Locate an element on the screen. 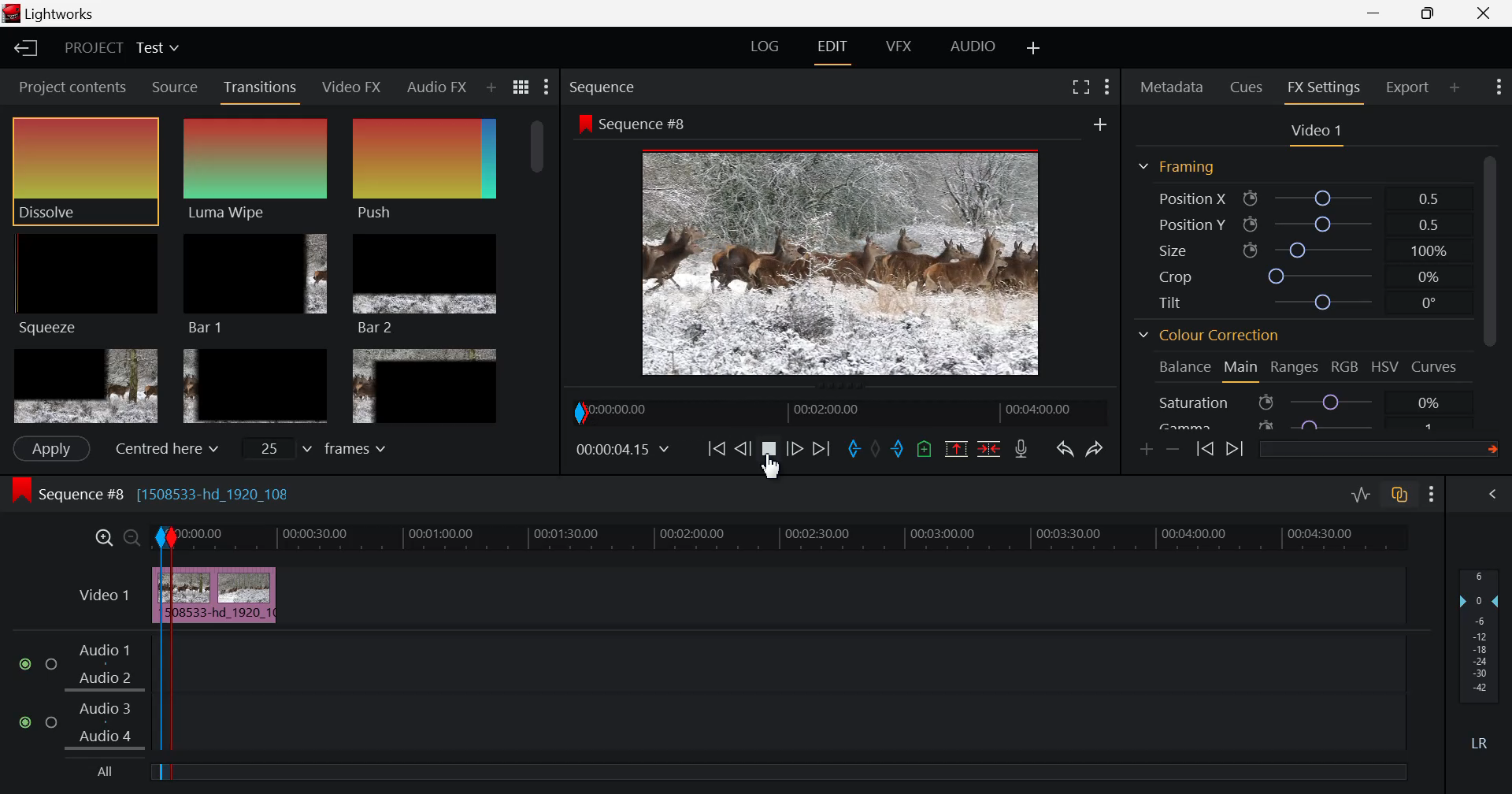 The height and width of the screenshot is (794, 1512). Centered here is located at coordinates (162, 449).